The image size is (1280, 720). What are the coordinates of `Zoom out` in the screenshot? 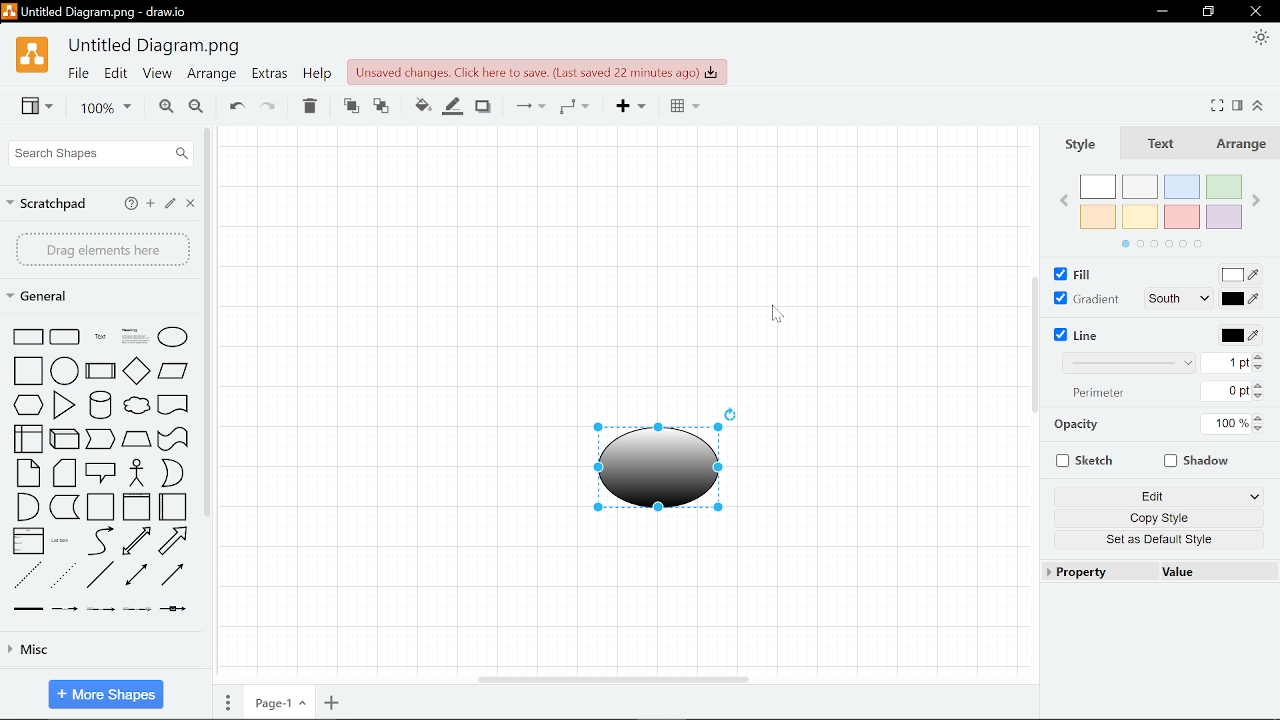 It's located at (195, 106).